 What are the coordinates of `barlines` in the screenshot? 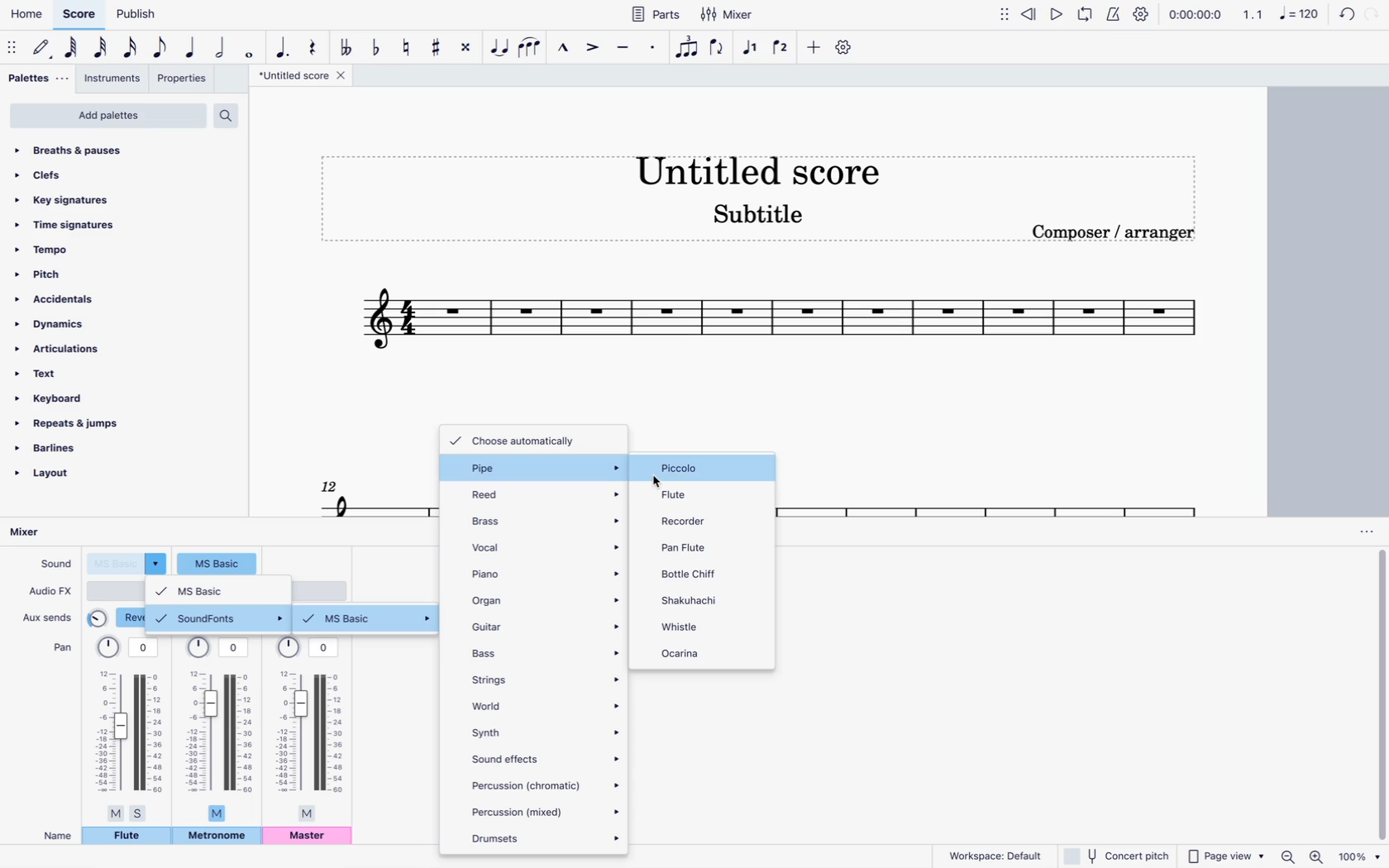 It's located at (69, 451).